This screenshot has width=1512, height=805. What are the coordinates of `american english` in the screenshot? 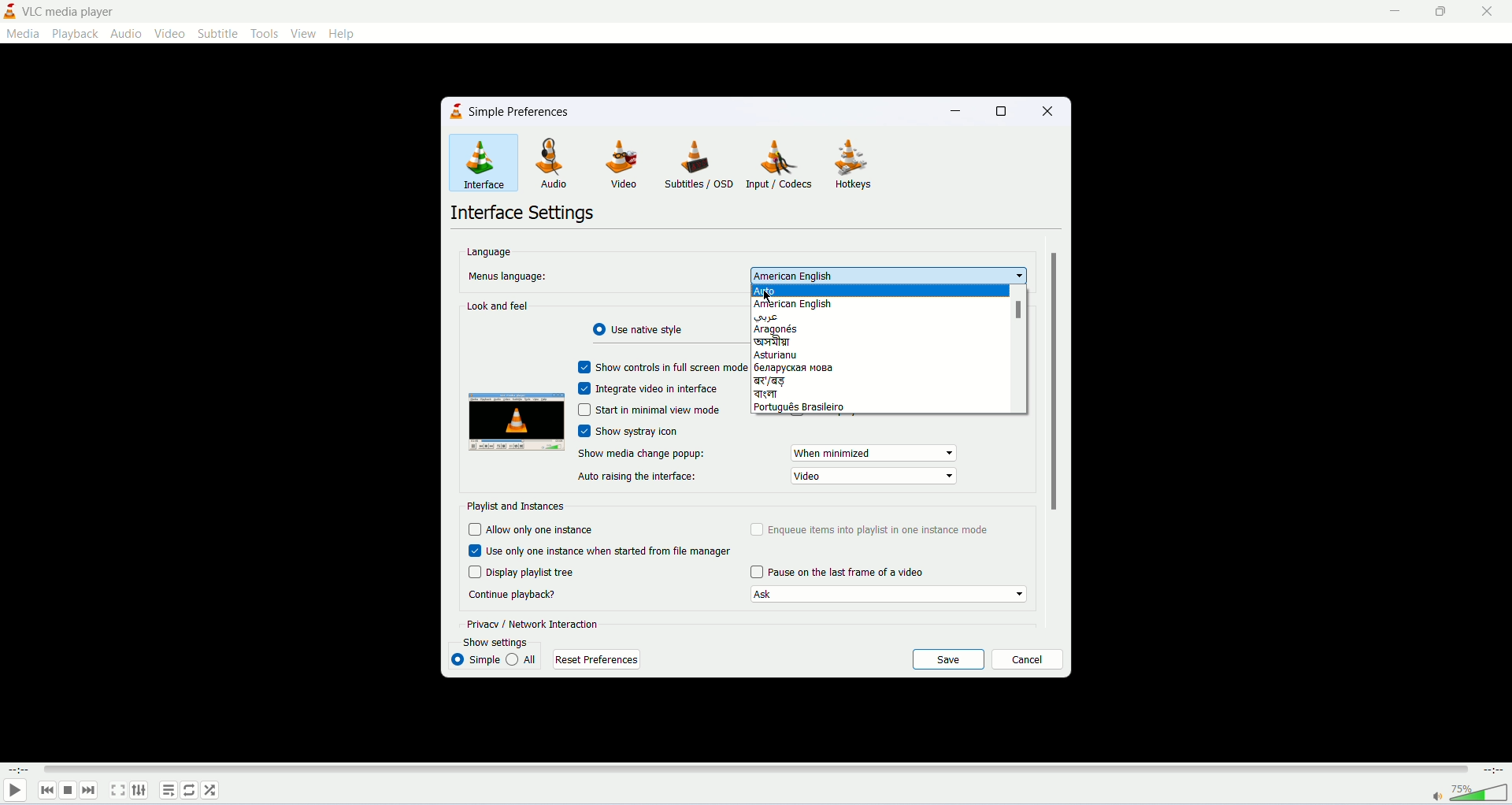 It's located at (880, 304).